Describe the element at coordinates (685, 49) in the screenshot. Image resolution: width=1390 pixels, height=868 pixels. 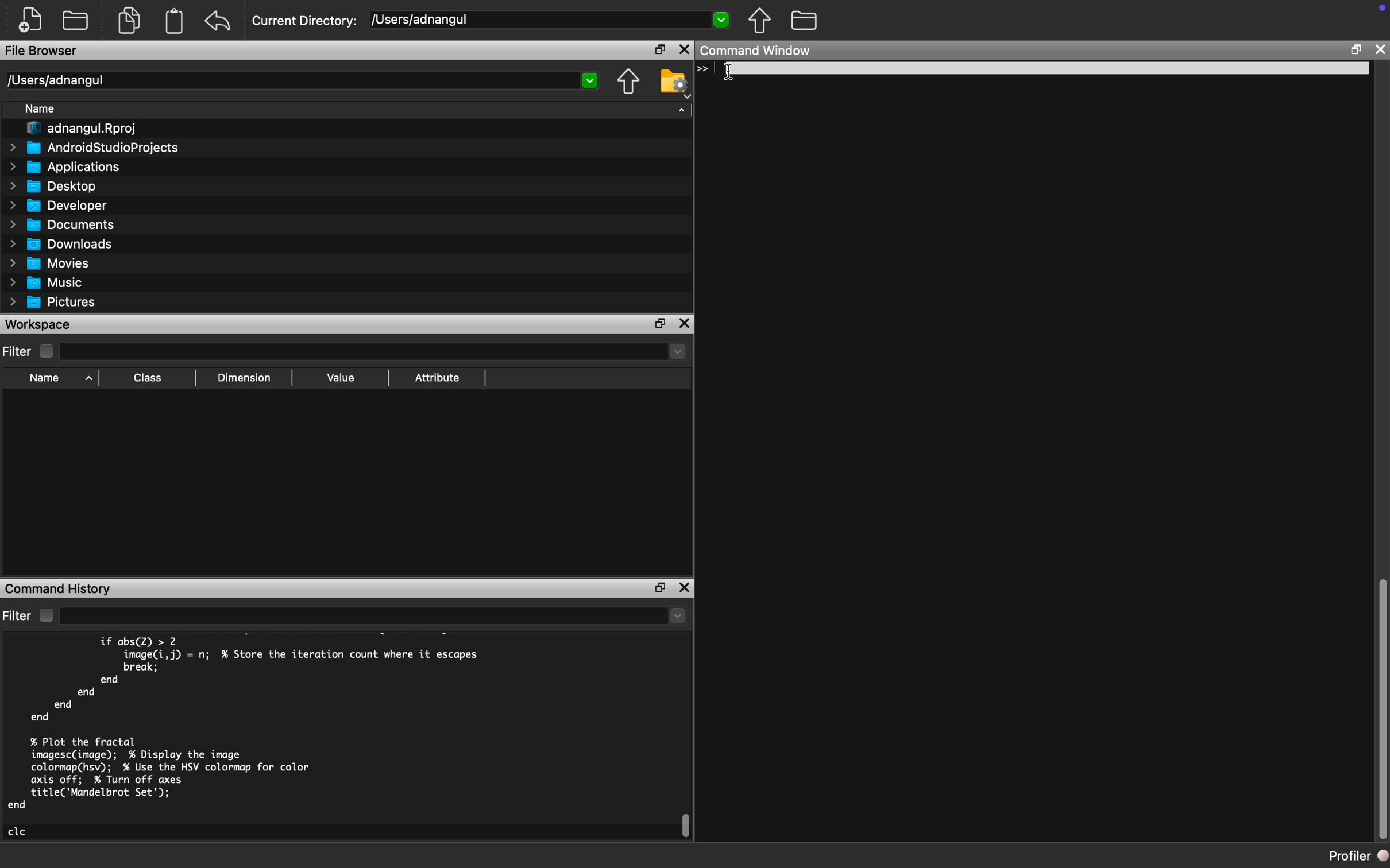
I see `Close` at that location.